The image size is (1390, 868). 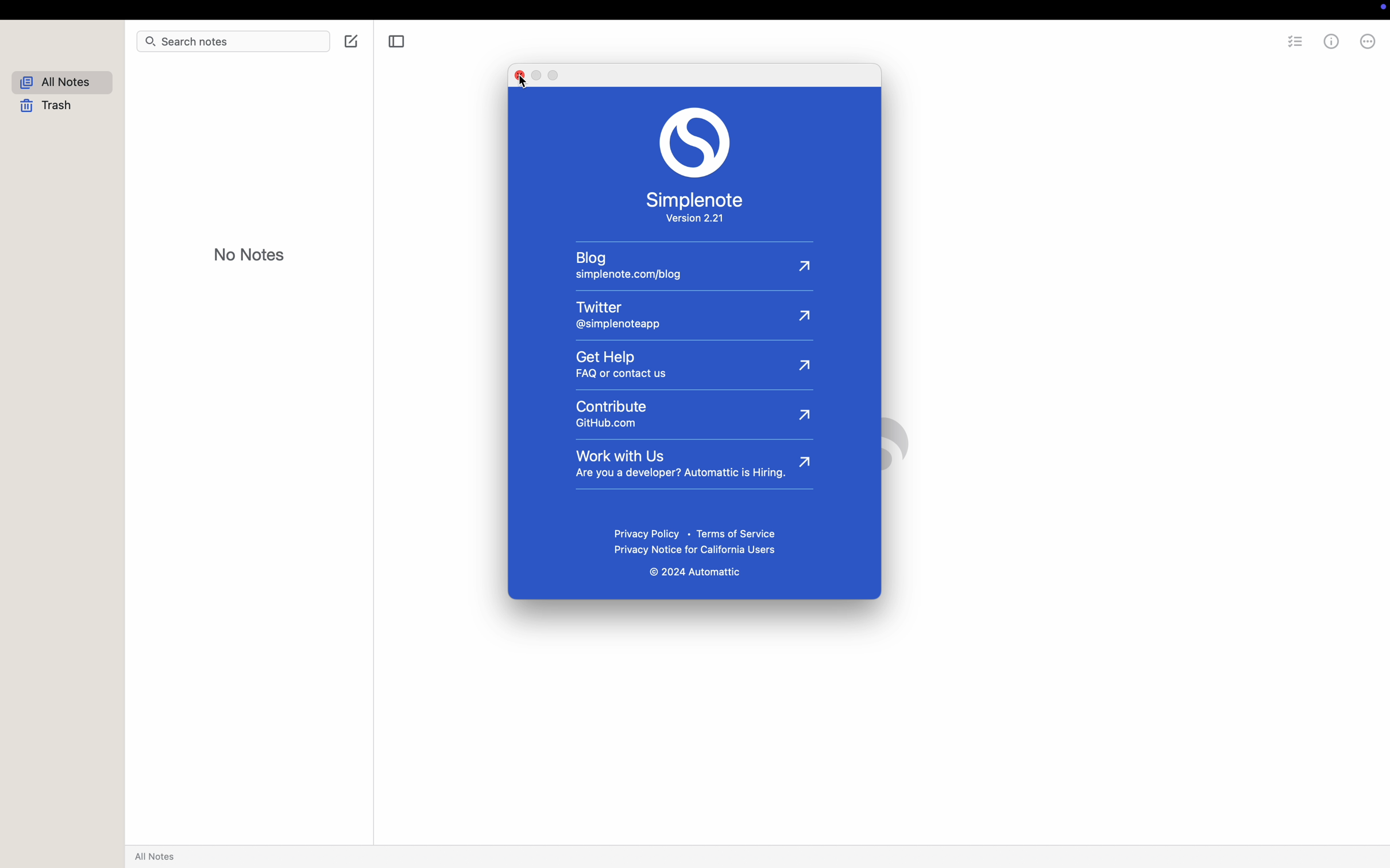 What do you see at coordinates (1353, 42) in the screenshot?
I see `help` at bounding box center [1353, 42].